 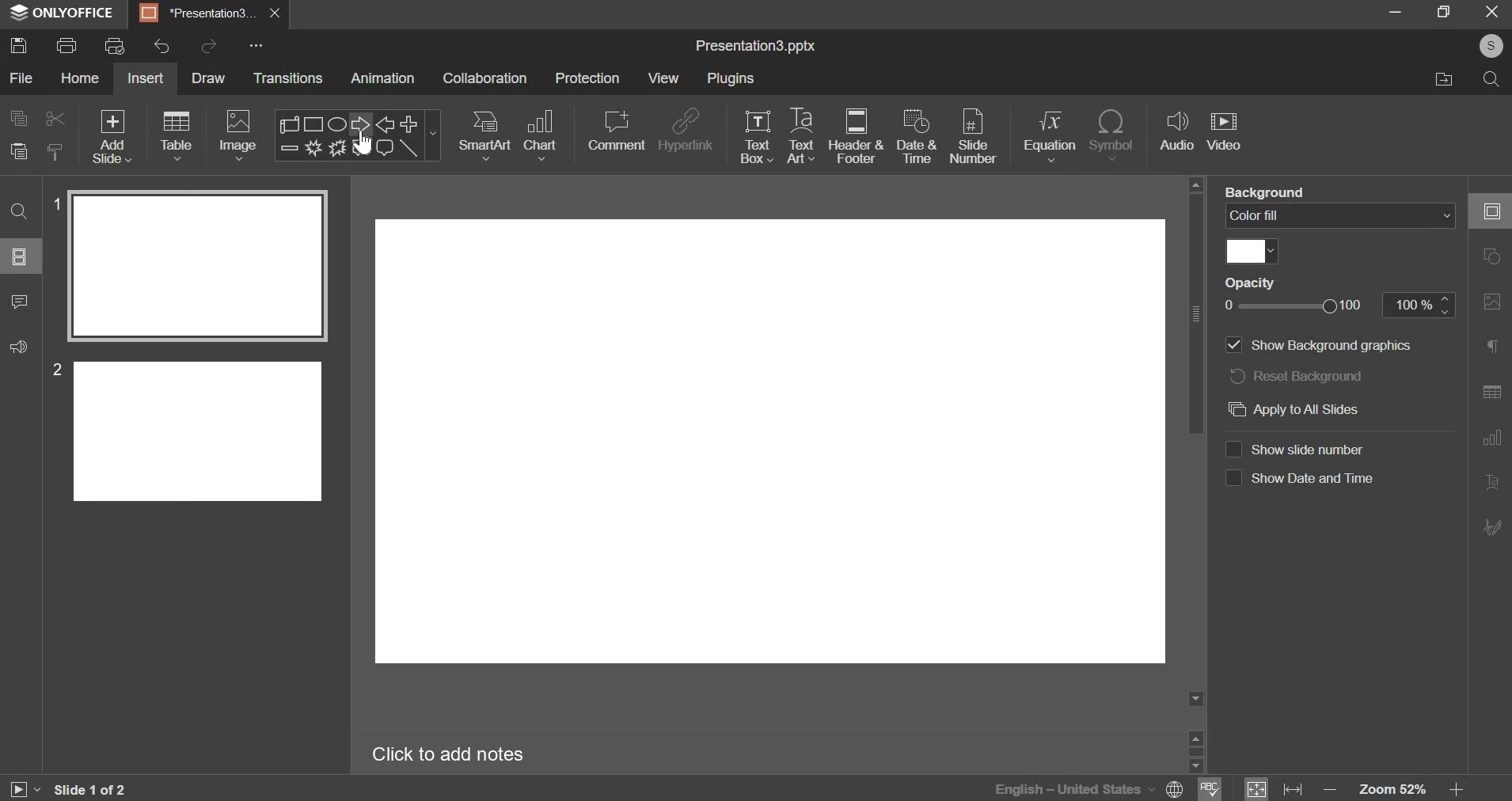 What do you see at coordinates (1340, 214) in the screenshot?
I see `background fill` at bounding box center [1340, 214].